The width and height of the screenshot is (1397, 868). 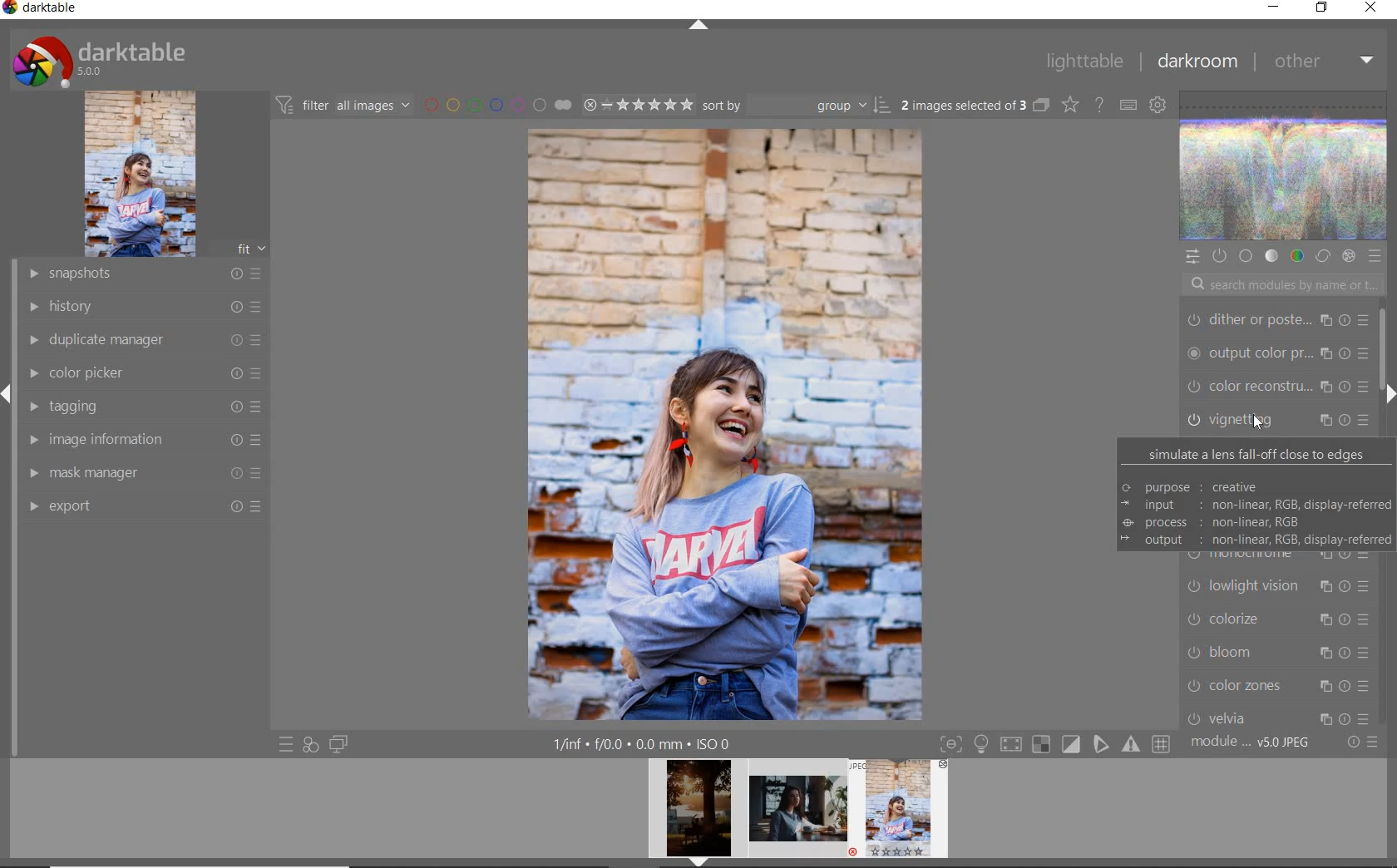 What do you see at coordinates (343, 104) in the screenshot?
I see `filter image` at bounding box center [343, 104].